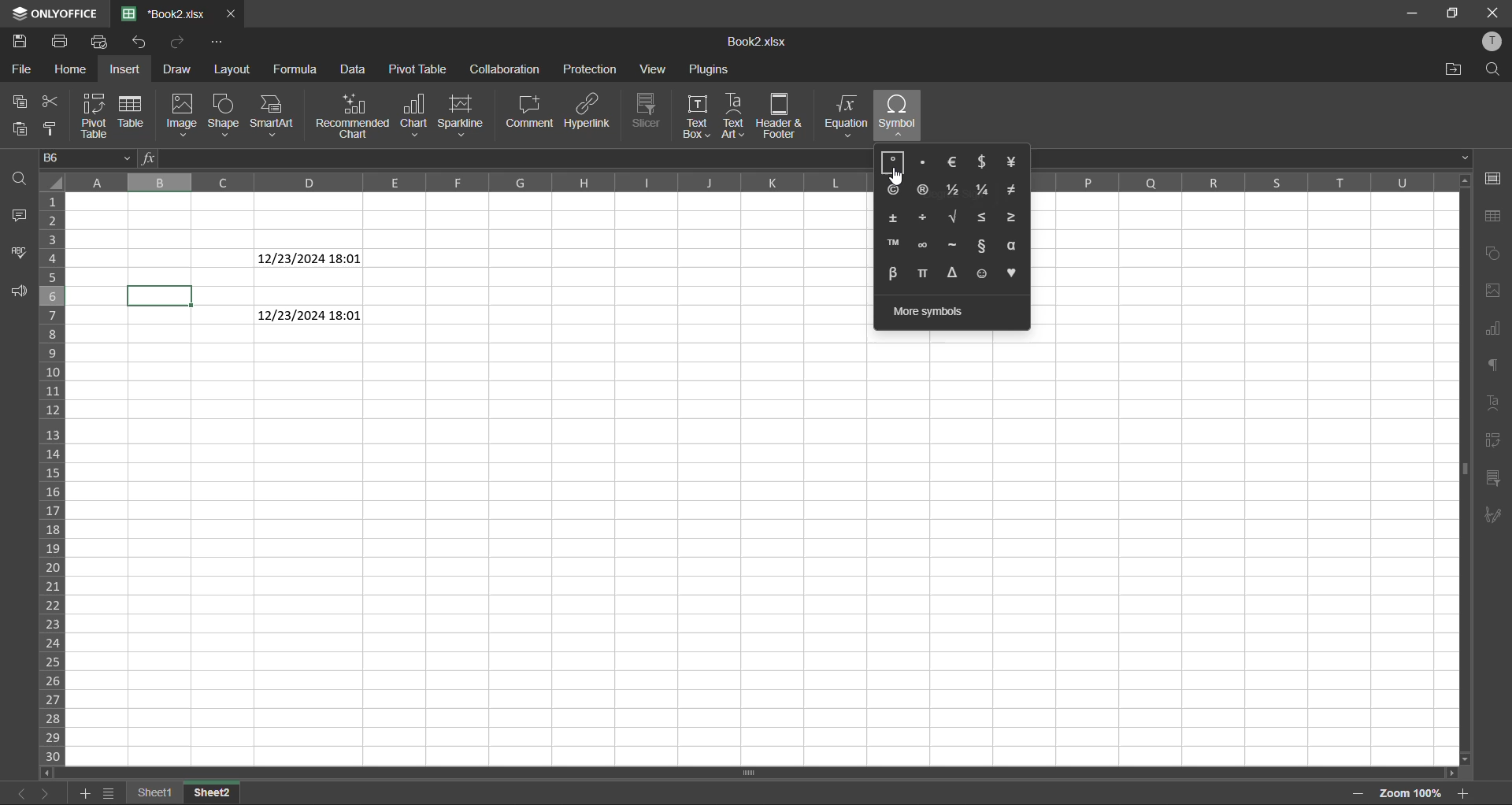 The image size is (1512, 805). Describe the element at coordinates (895, 164) in the screenshot. I see `` at that location.